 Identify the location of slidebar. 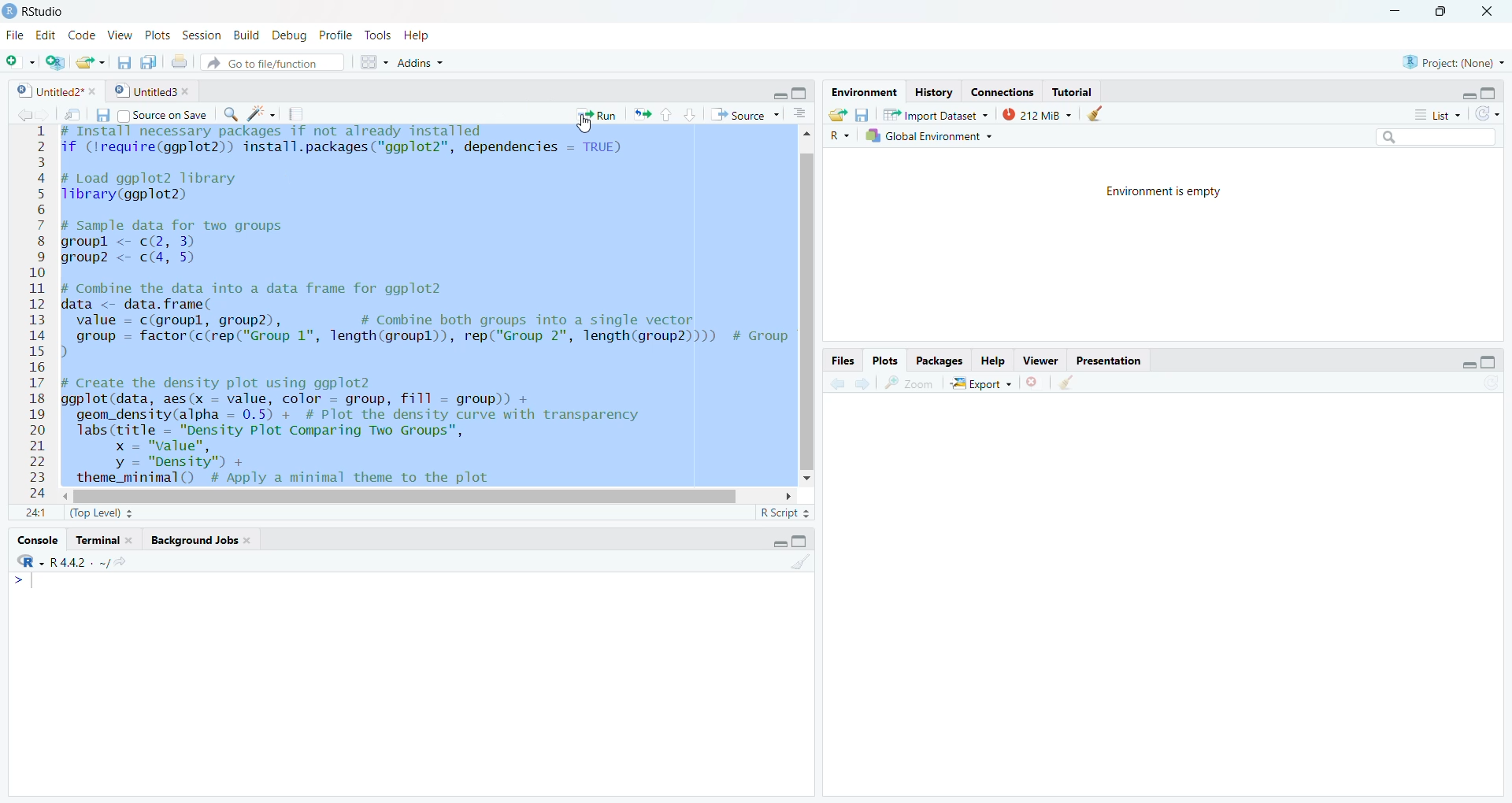
(810, 324).